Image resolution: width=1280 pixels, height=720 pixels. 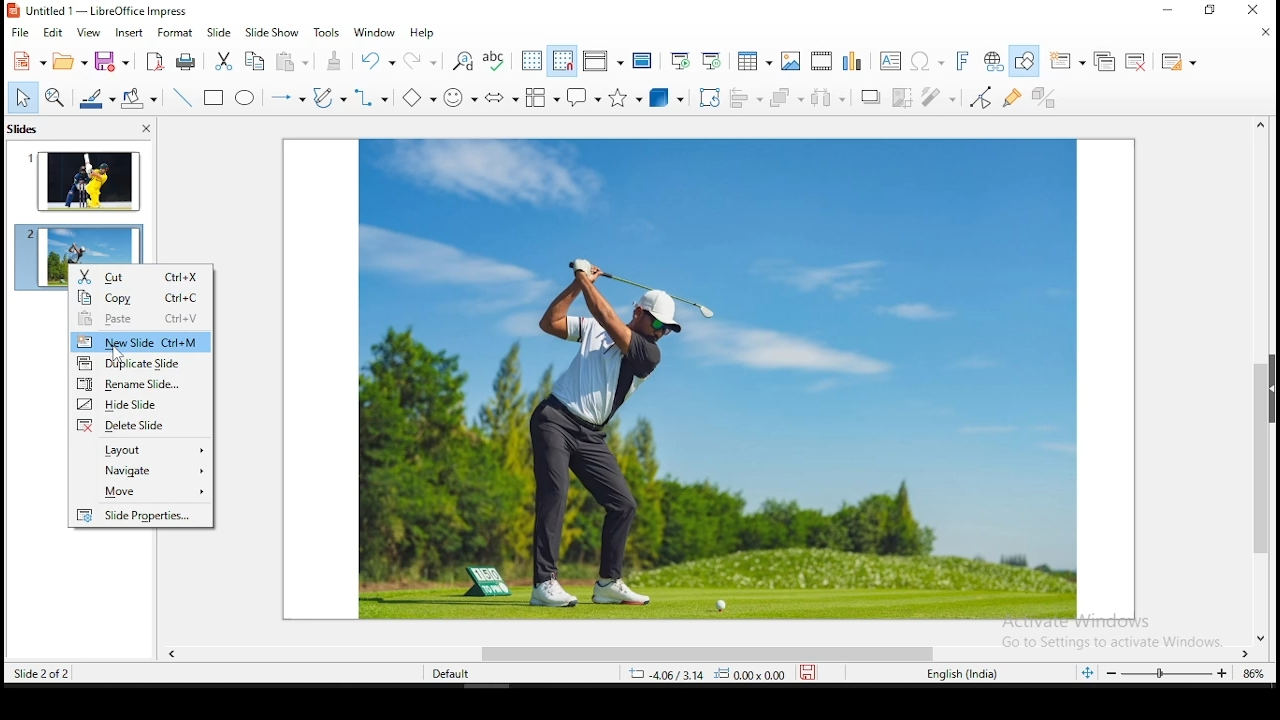 I want to click on image, so click(x=716, y=381).